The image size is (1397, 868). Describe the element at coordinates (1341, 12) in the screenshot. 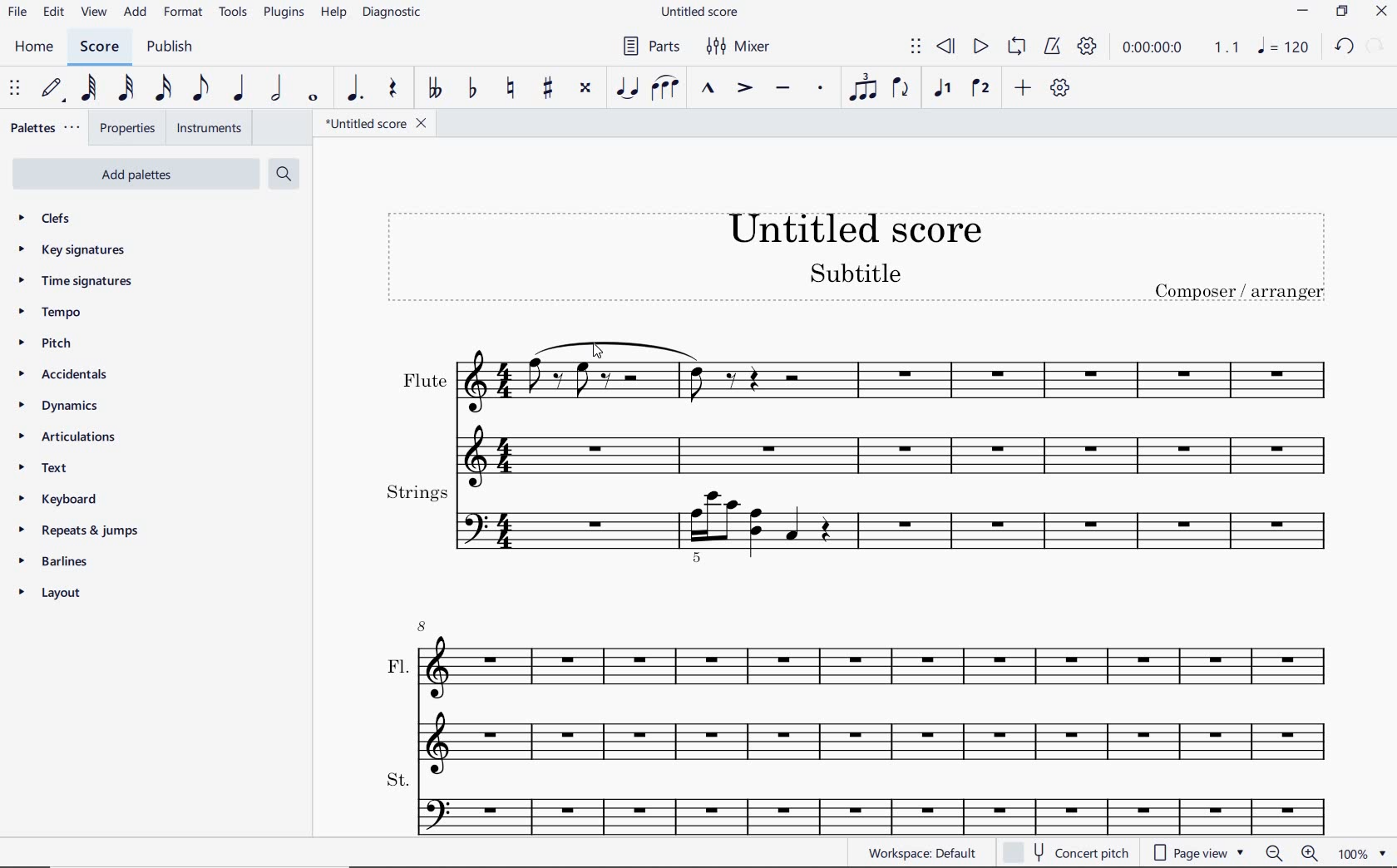

I see `restore down` at that location.